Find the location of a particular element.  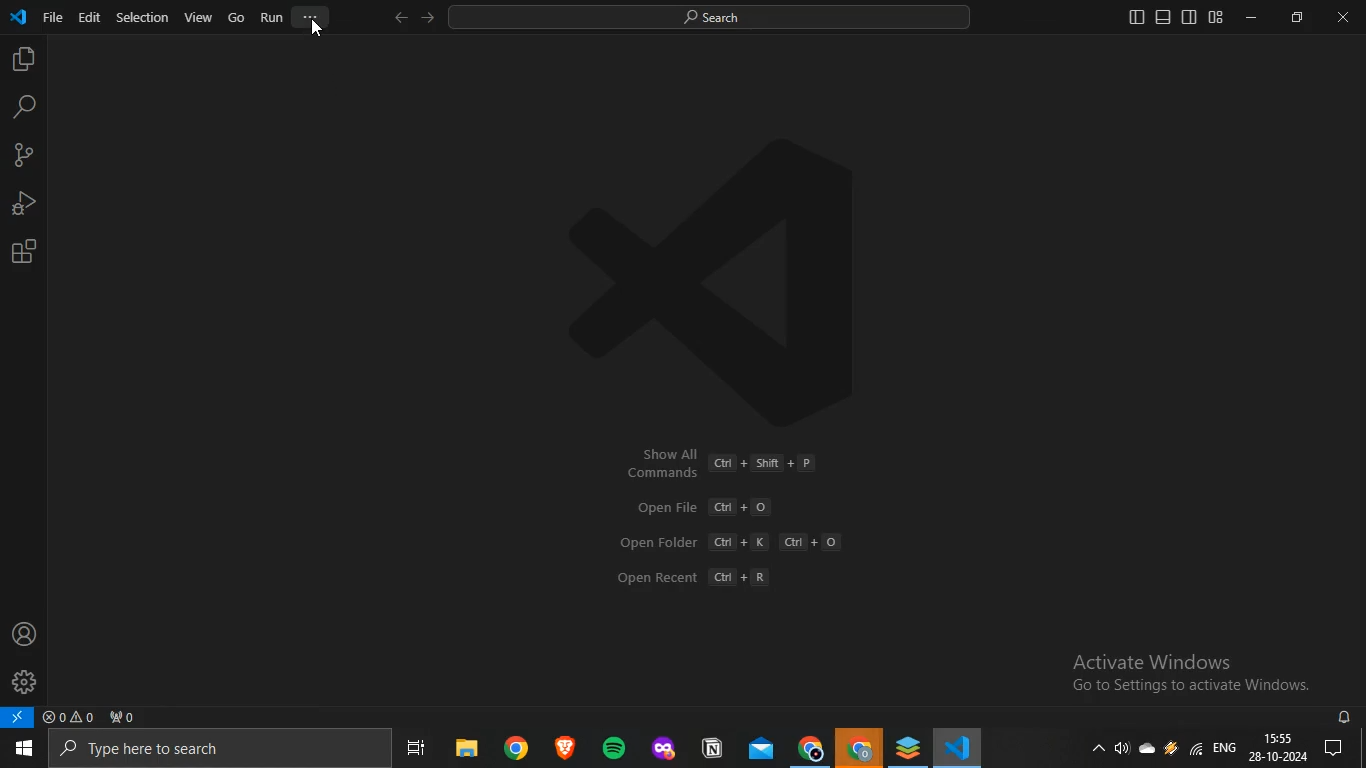

file explorer is located at coordinates (465, 750).